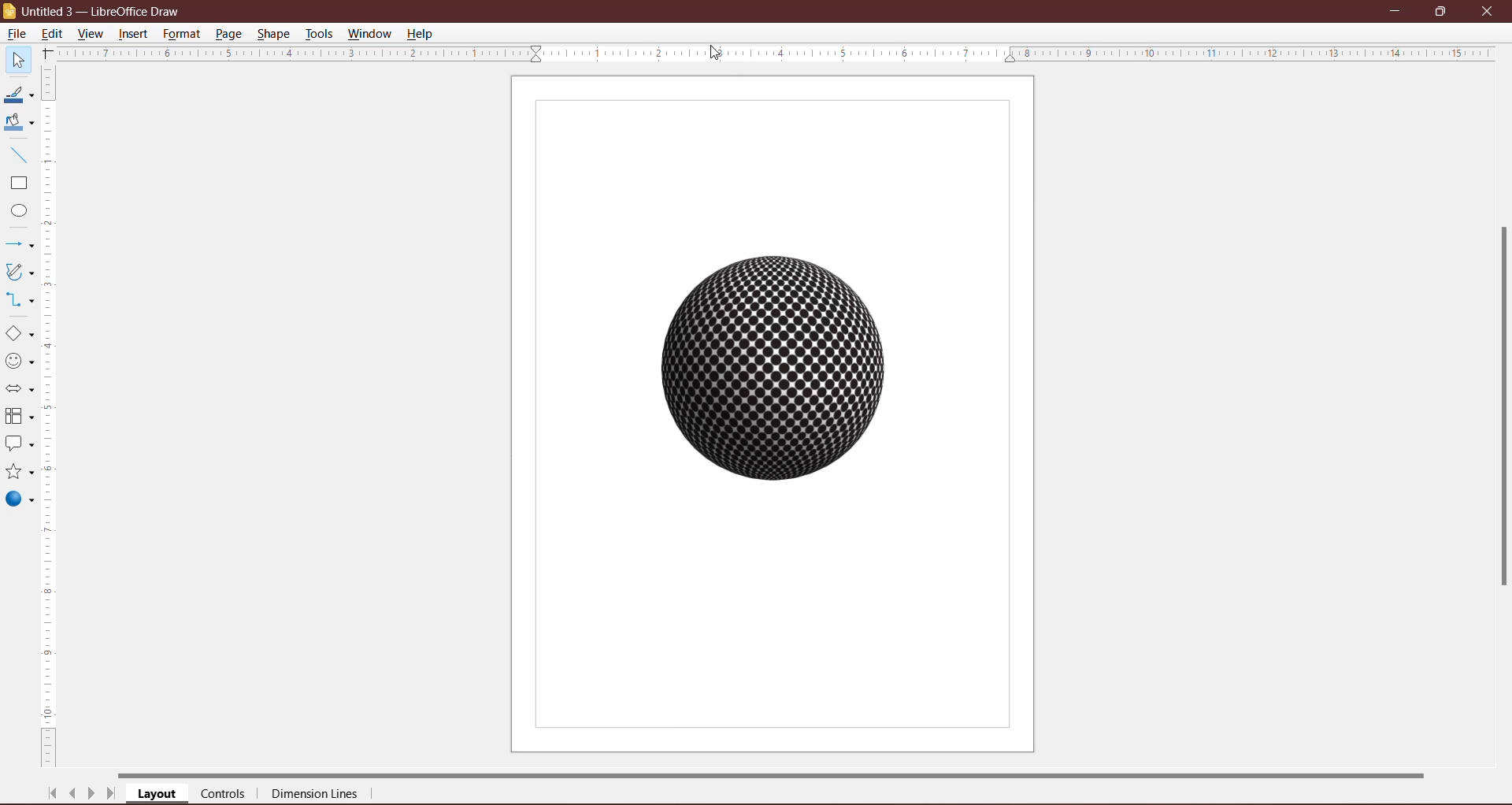 The width and height of the screenshot is (1512, 805). I want to click on Window, so click(369, 34).